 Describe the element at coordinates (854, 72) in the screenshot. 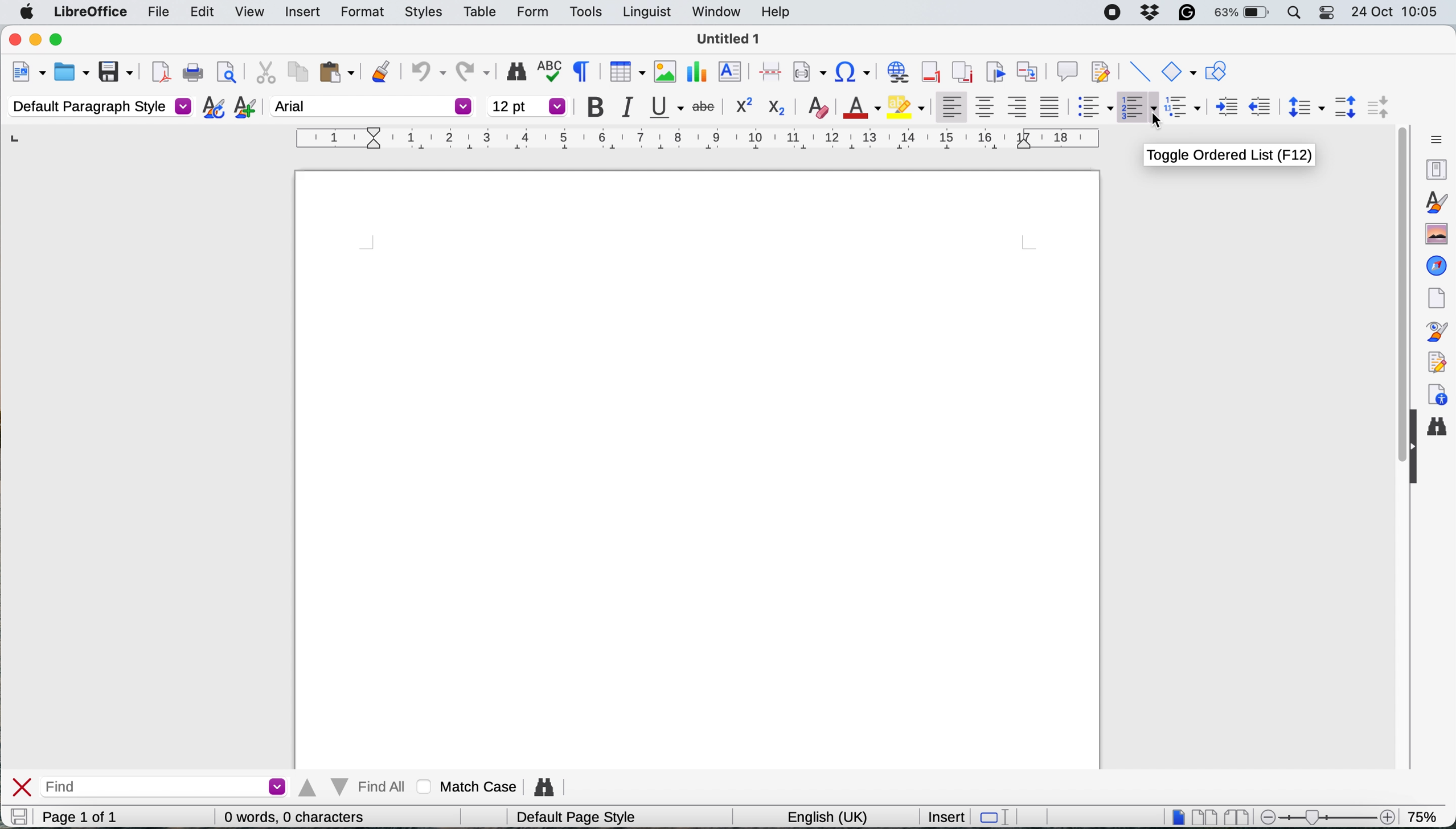

I see `insert special character` at that location.